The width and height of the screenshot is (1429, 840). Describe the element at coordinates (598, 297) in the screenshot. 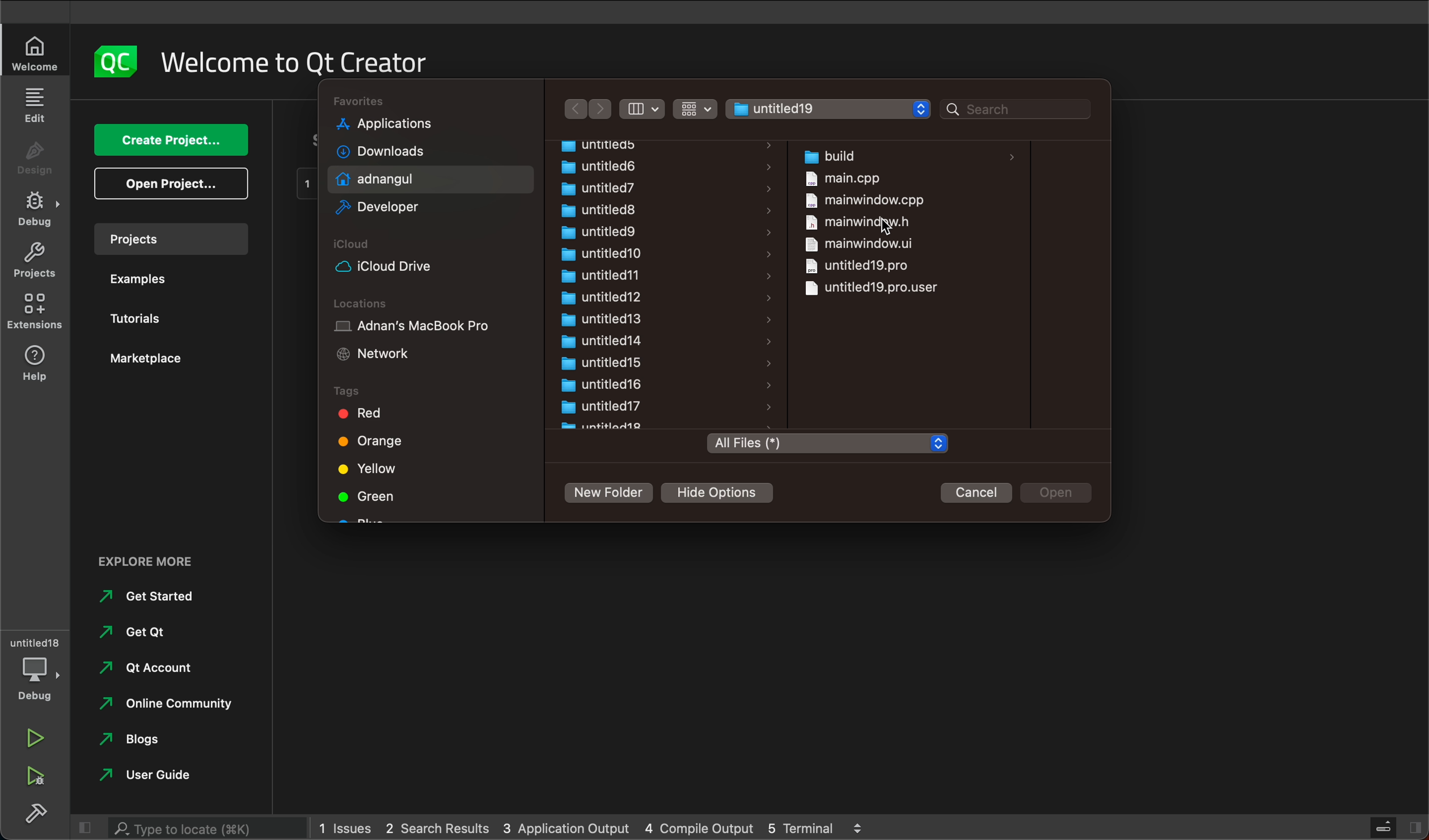

I see `untitled12` at that location.